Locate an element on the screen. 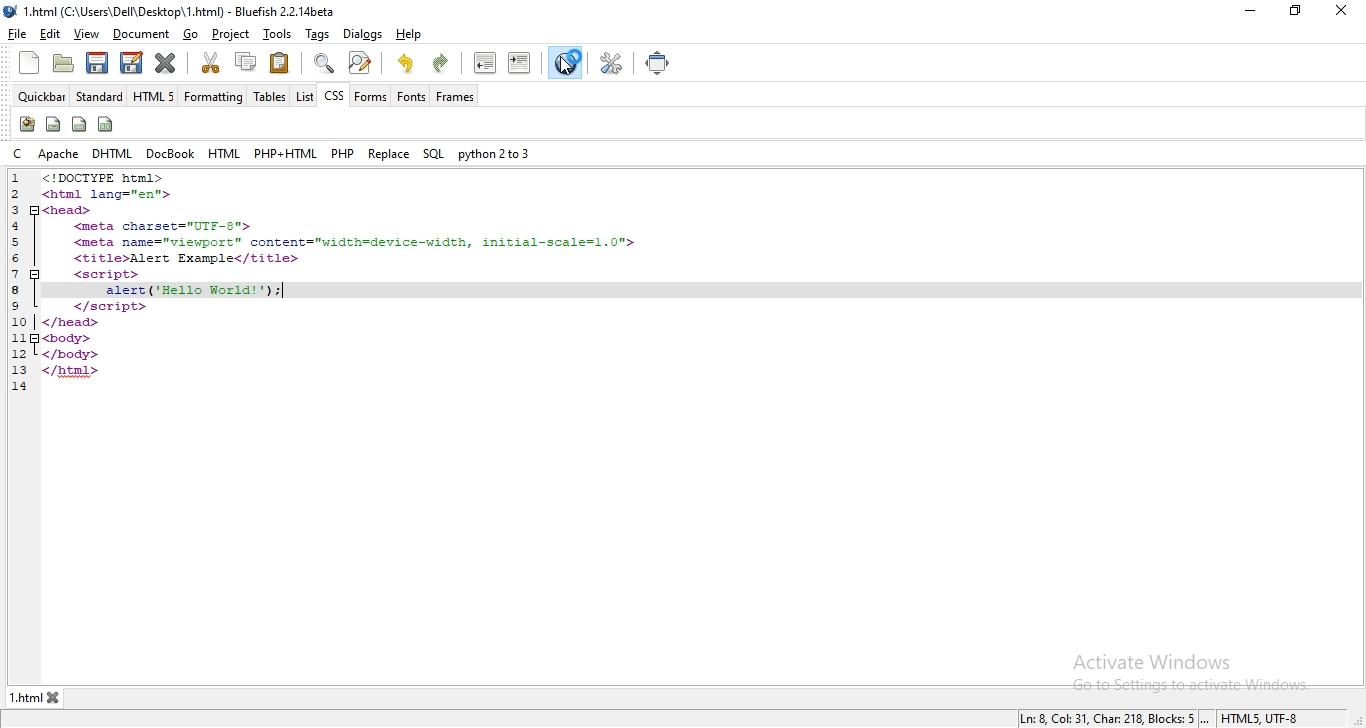  formatting is located at coordinates (211, 96).